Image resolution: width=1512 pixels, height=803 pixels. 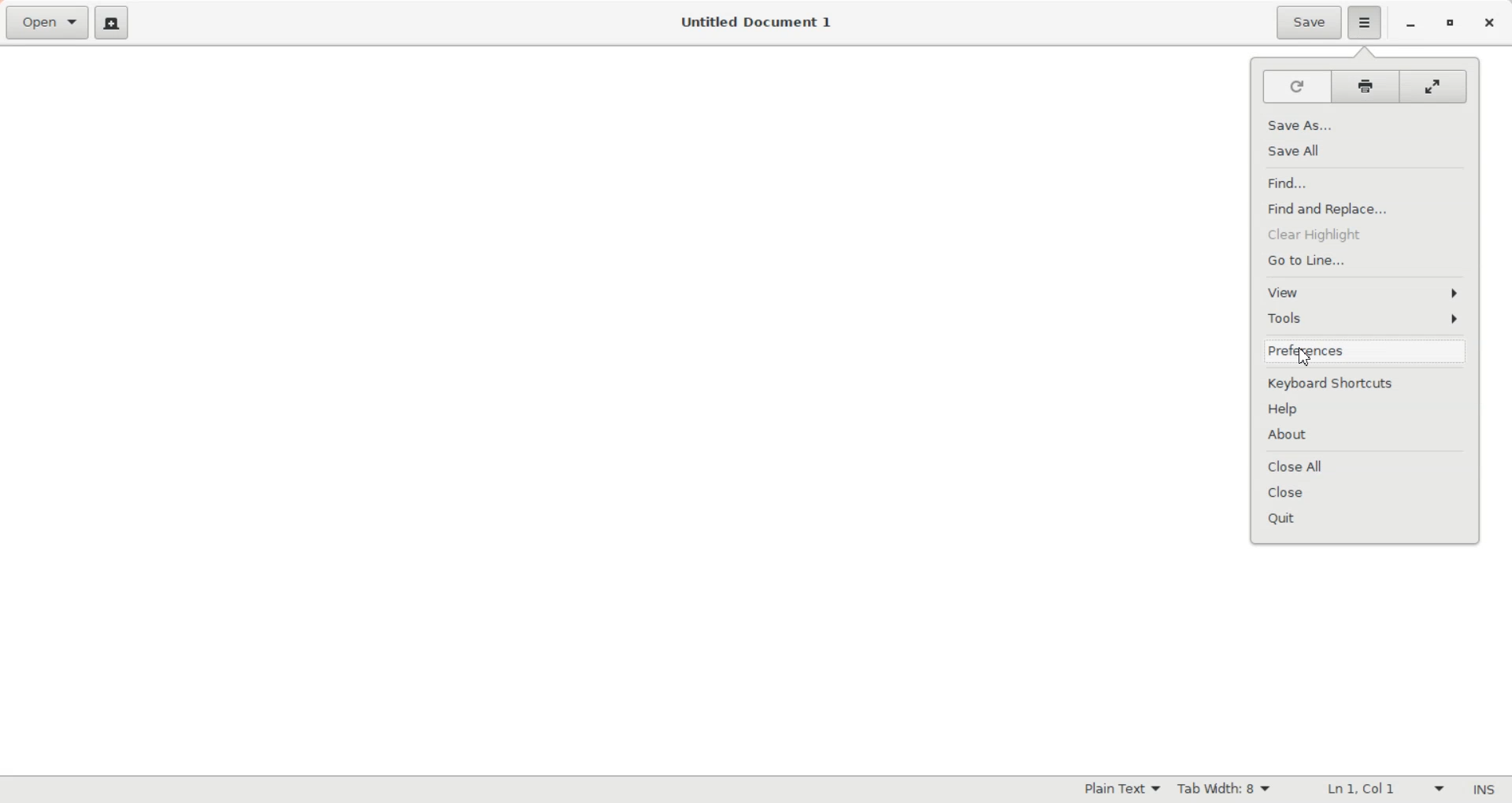 What do you see at coordinates (1371, 790) in the screenshot?
I see `Line Column` at bounding box center [1371, 790].